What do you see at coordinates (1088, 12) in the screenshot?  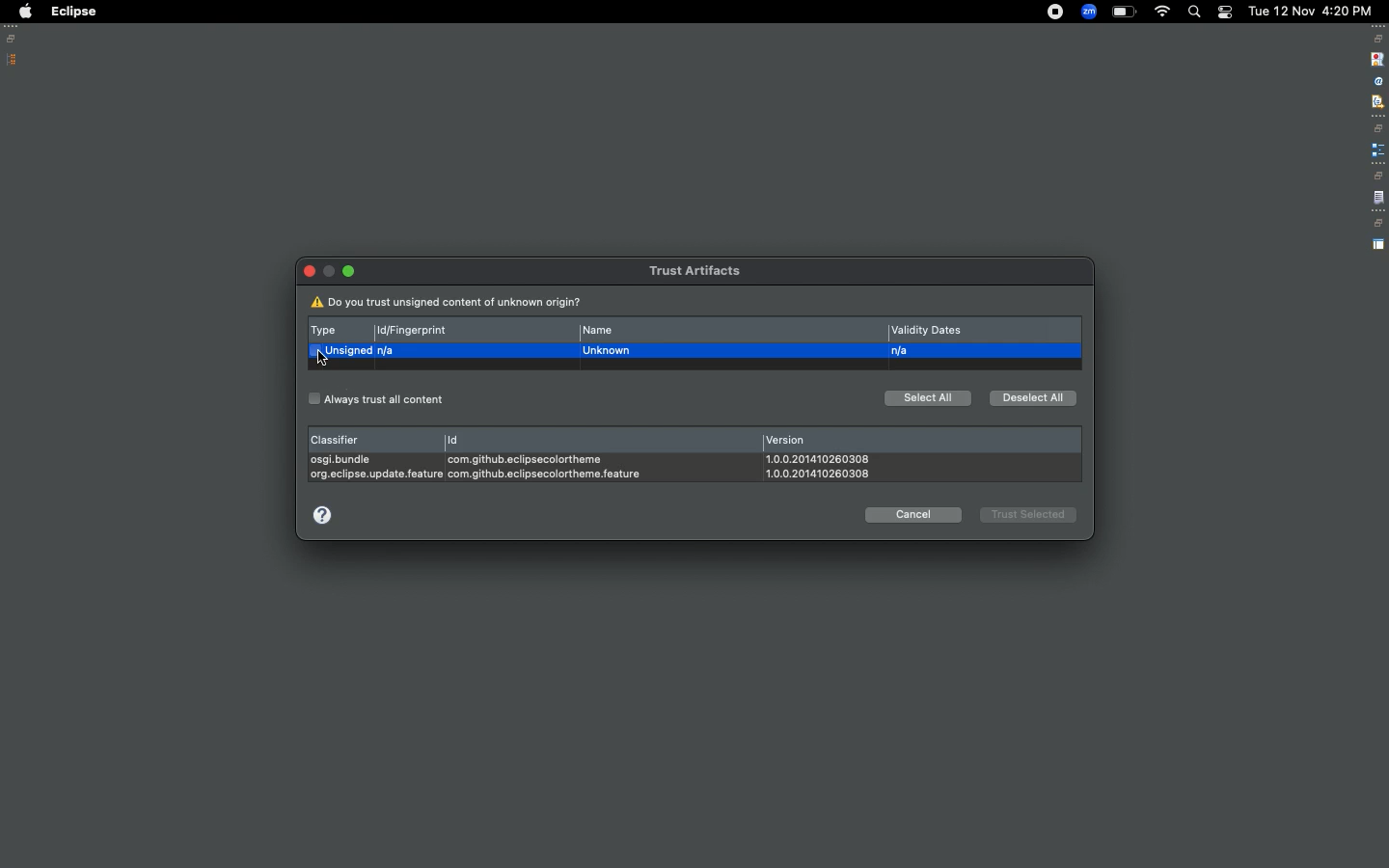 I see `Zoom` at bounding box center [1088, 12].